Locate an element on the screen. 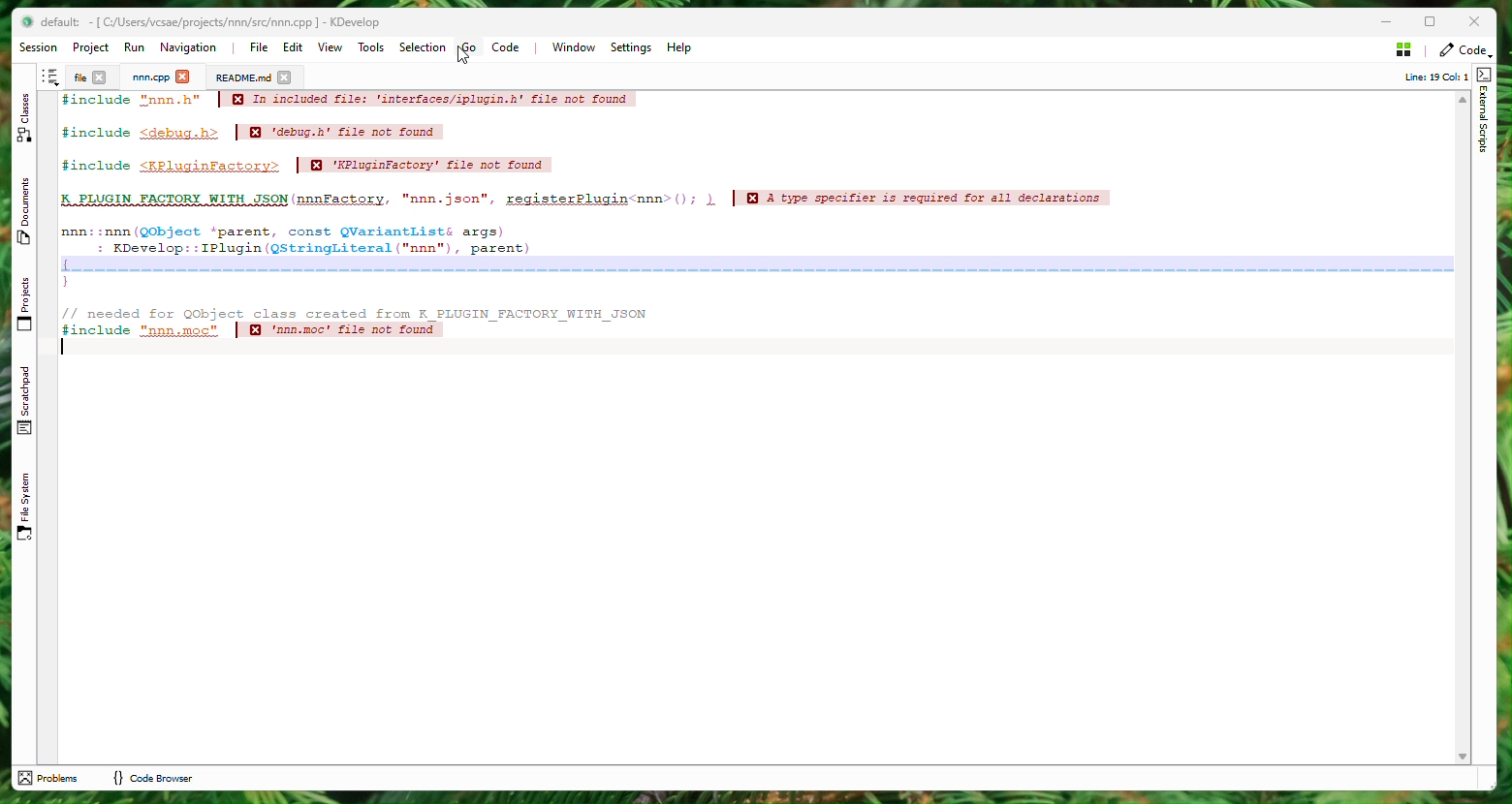  close tab is located at coordinates (285, 77).